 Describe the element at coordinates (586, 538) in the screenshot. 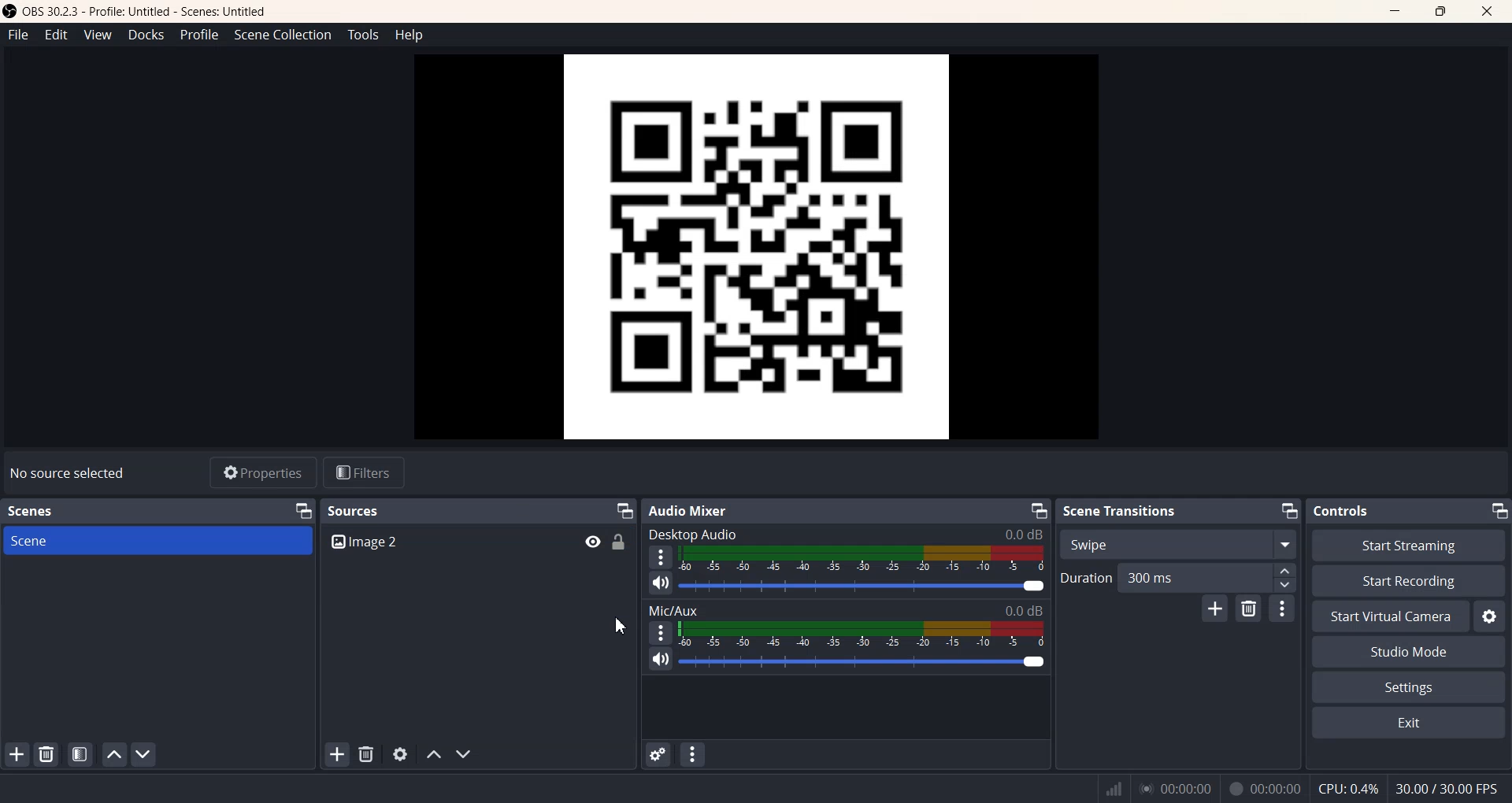

I see `Hide ` at that location.